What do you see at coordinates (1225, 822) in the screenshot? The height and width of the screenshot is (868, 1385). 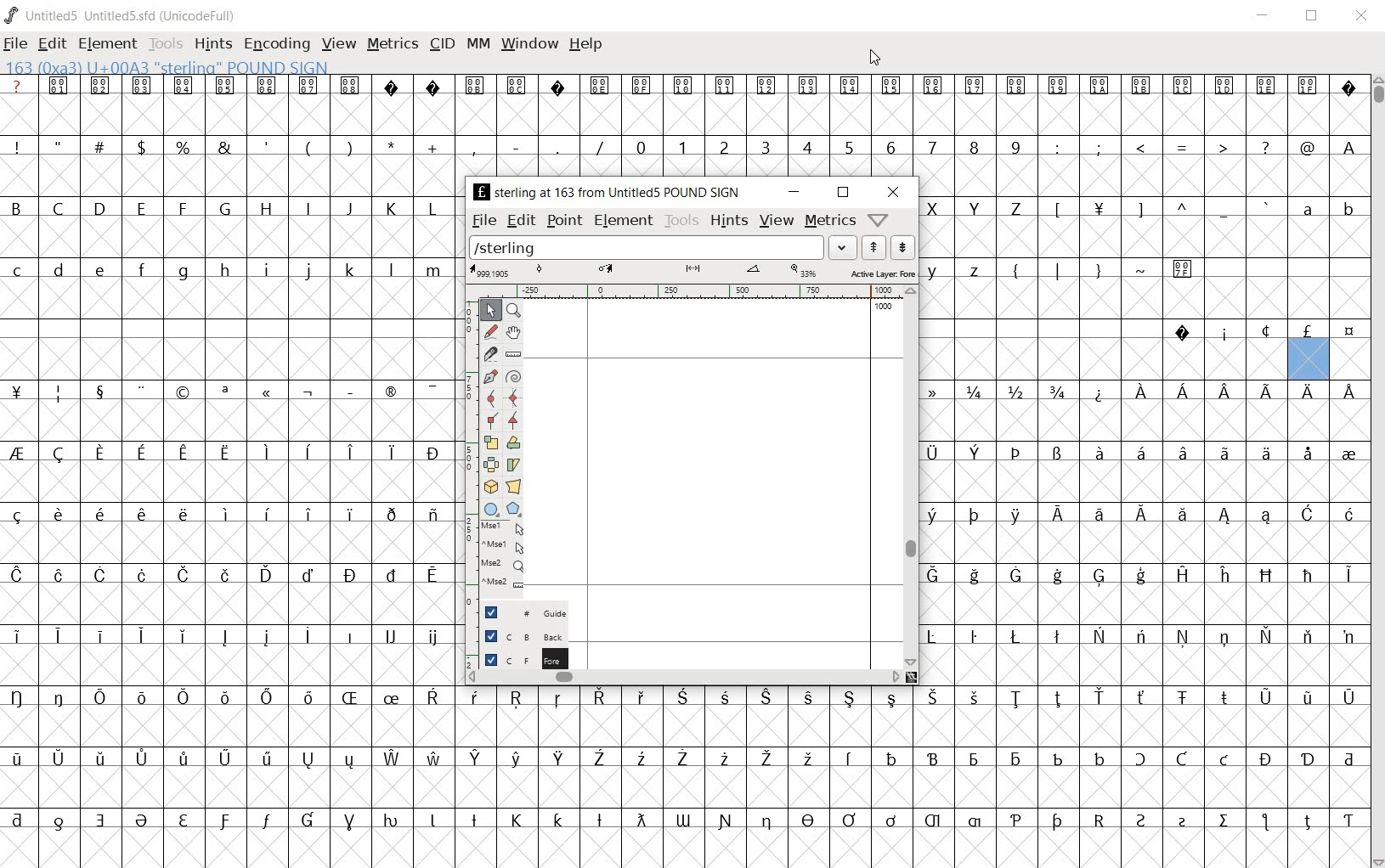 I see `Symbol` at bounding box center [1225, 822].